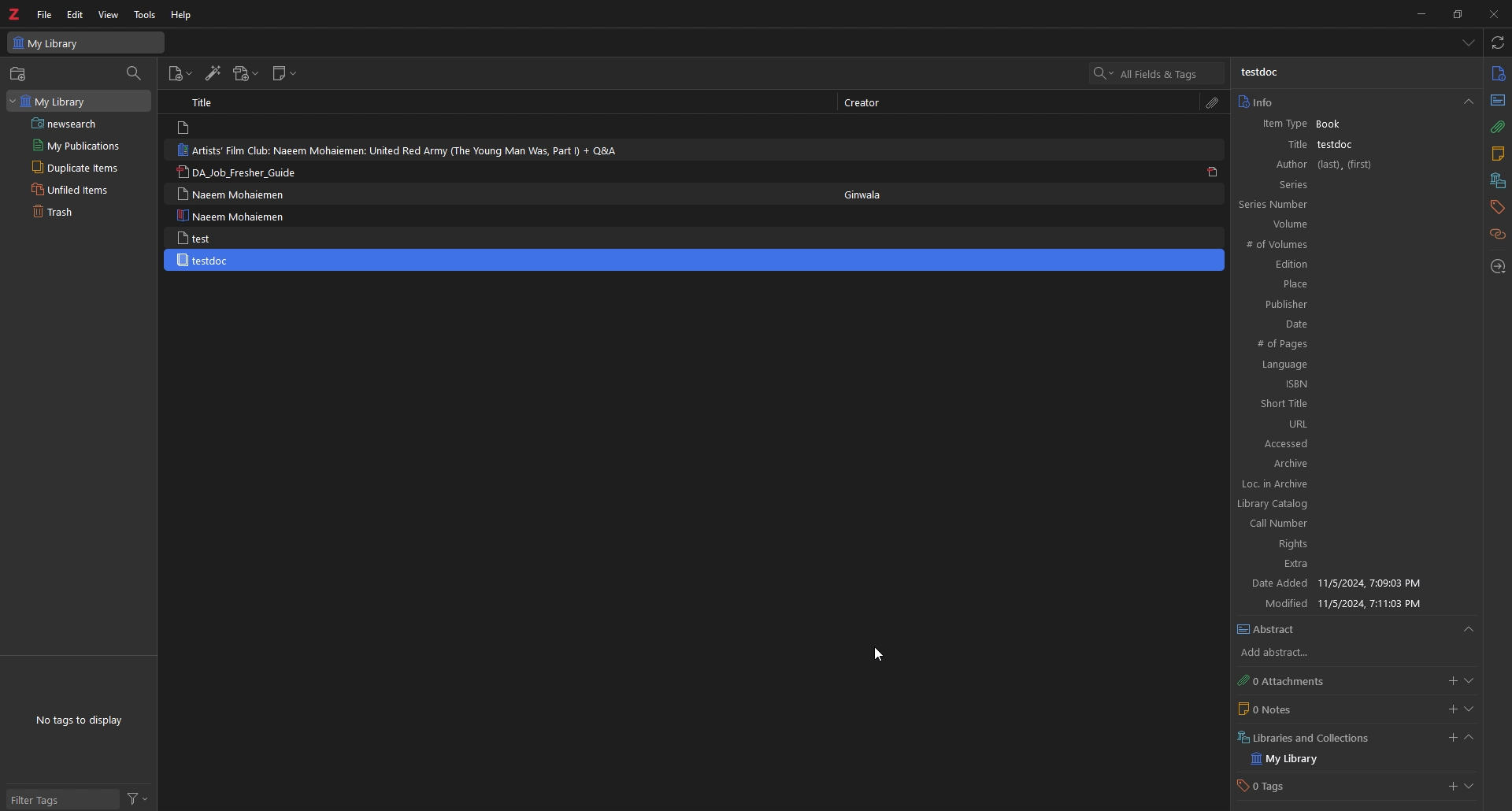  I want to click on Date, so click(1349, 324).